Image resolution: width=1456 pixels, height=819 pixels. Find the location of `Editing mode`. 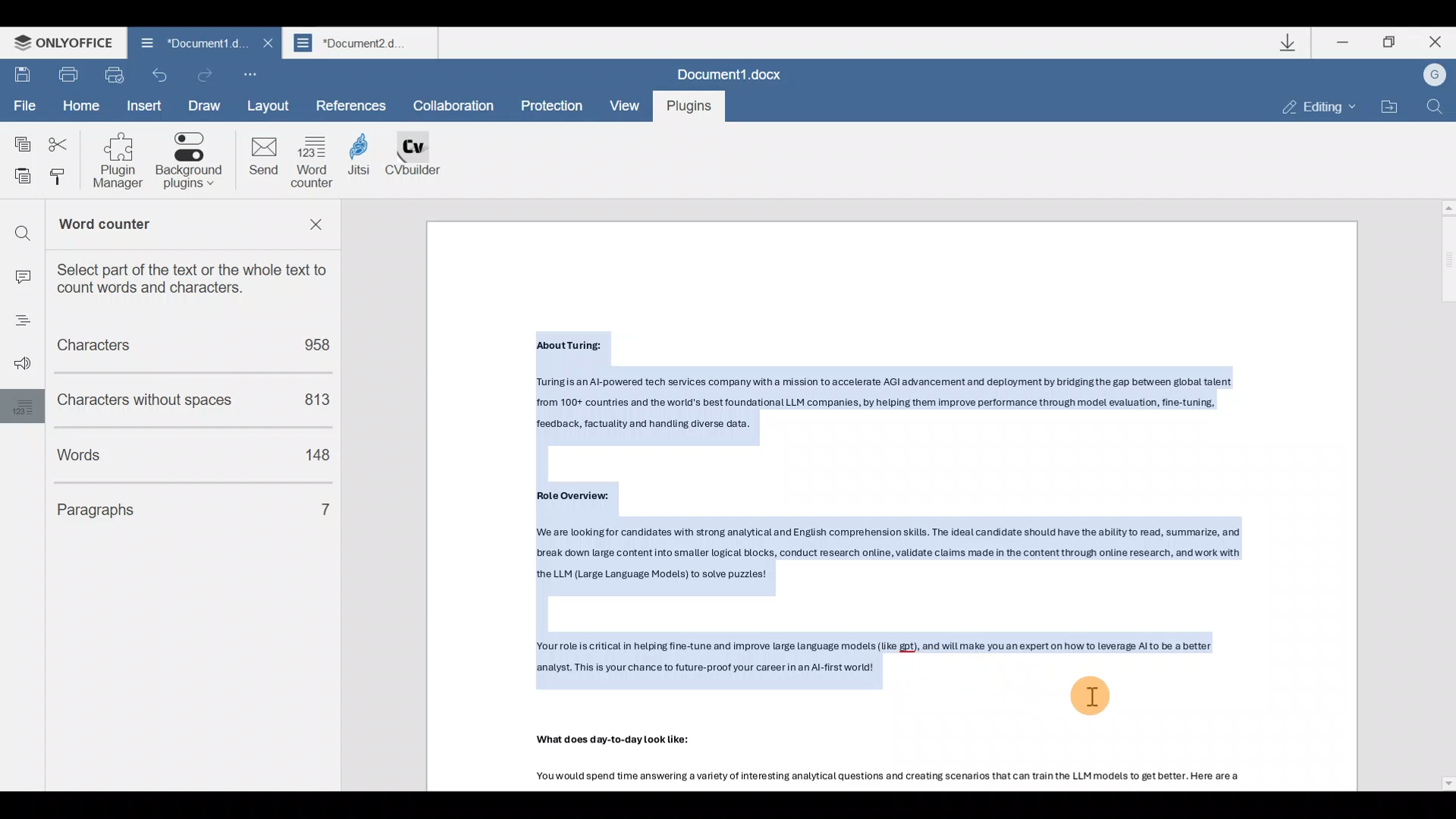

Editing mode is located at coordinates (1309, 107).